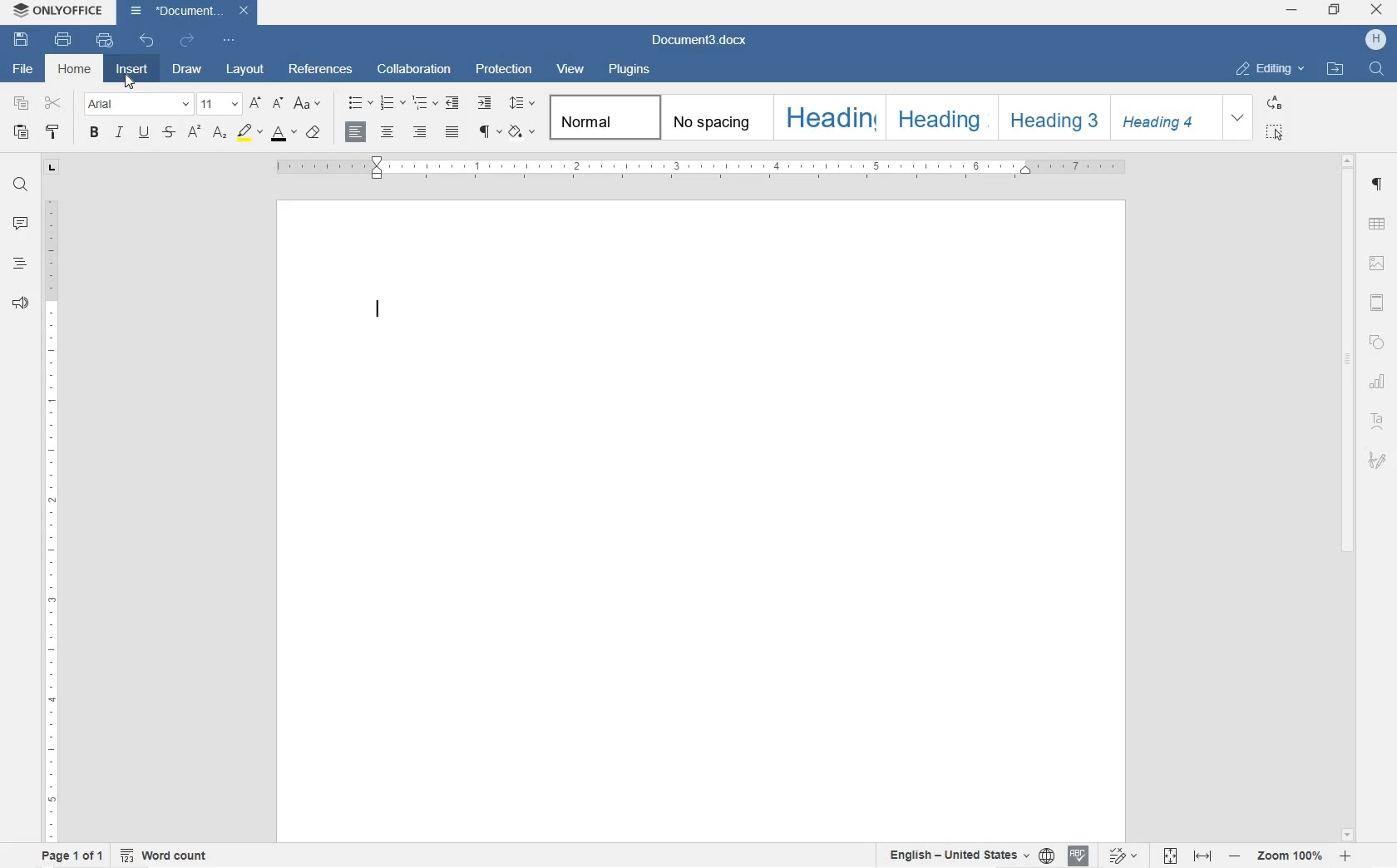 The width and height of the screenshot is (1397, 868). I want to click on COLLABORATION, so click(417, 70).